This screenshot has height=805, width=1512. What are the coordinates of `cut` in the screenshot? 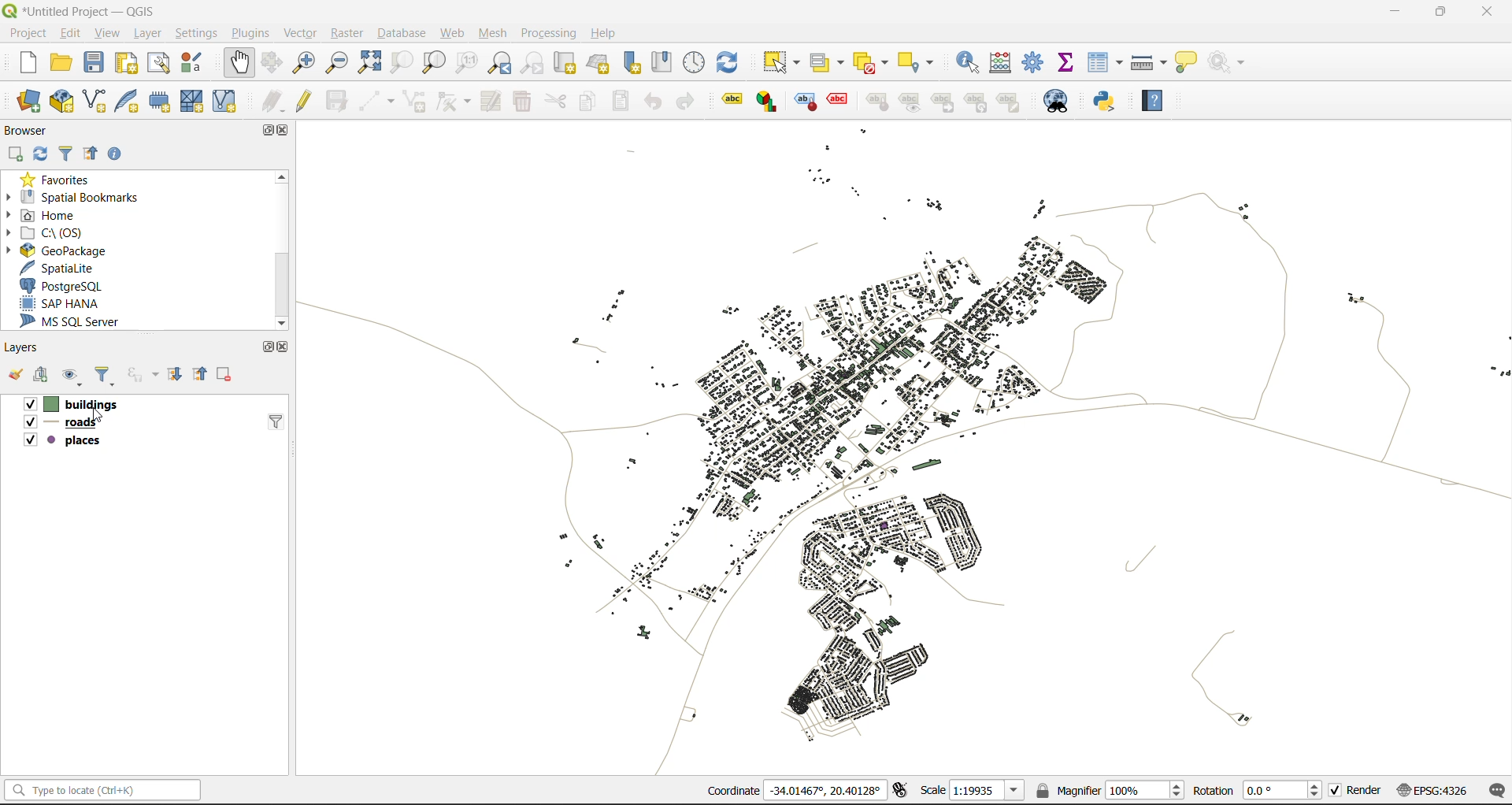 It's located at (554, 99).